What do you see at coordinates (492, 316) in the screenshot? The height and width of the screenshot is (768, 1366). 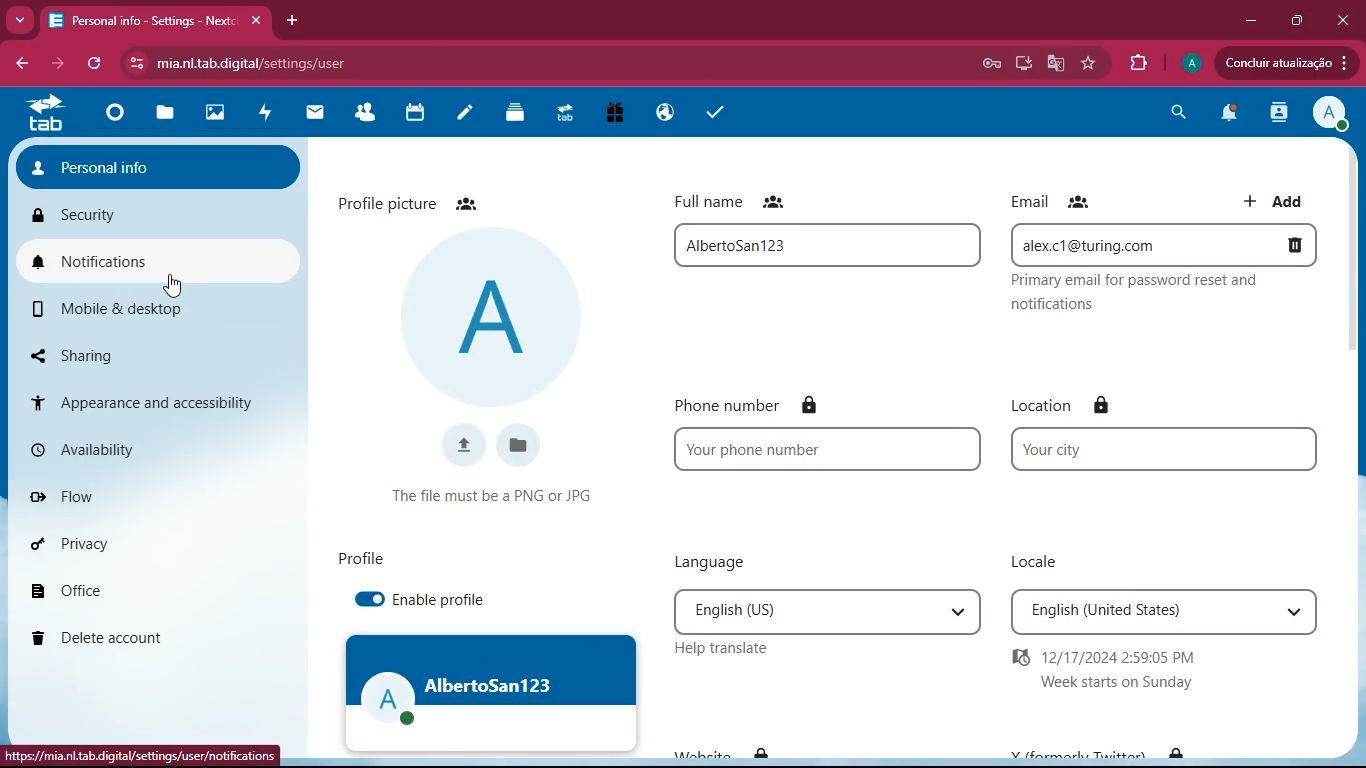 I see `profile picture` at bounding box center [492, 316].